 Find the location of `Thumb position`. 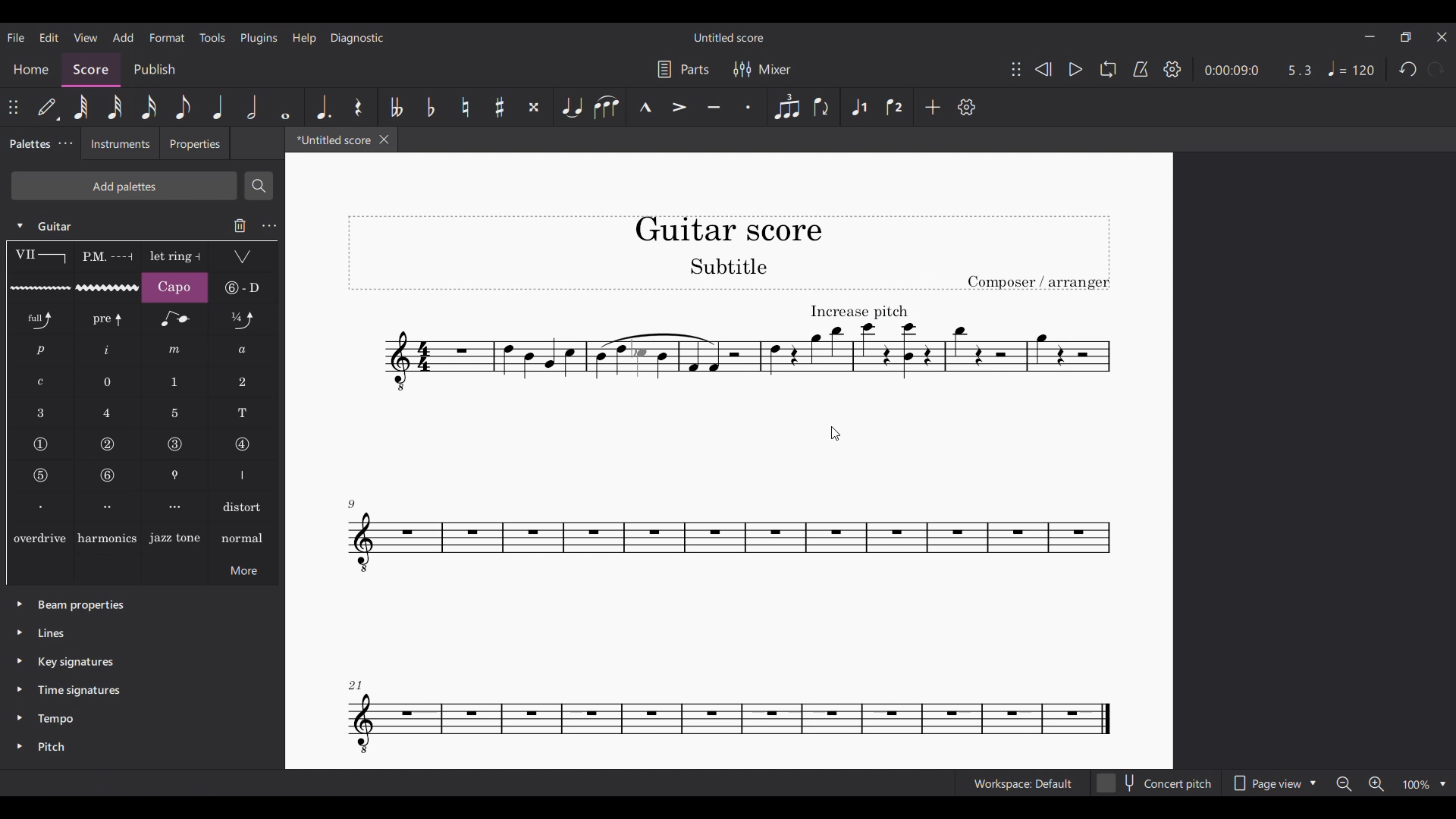

Thumb position is located at coordinates (176, 475).